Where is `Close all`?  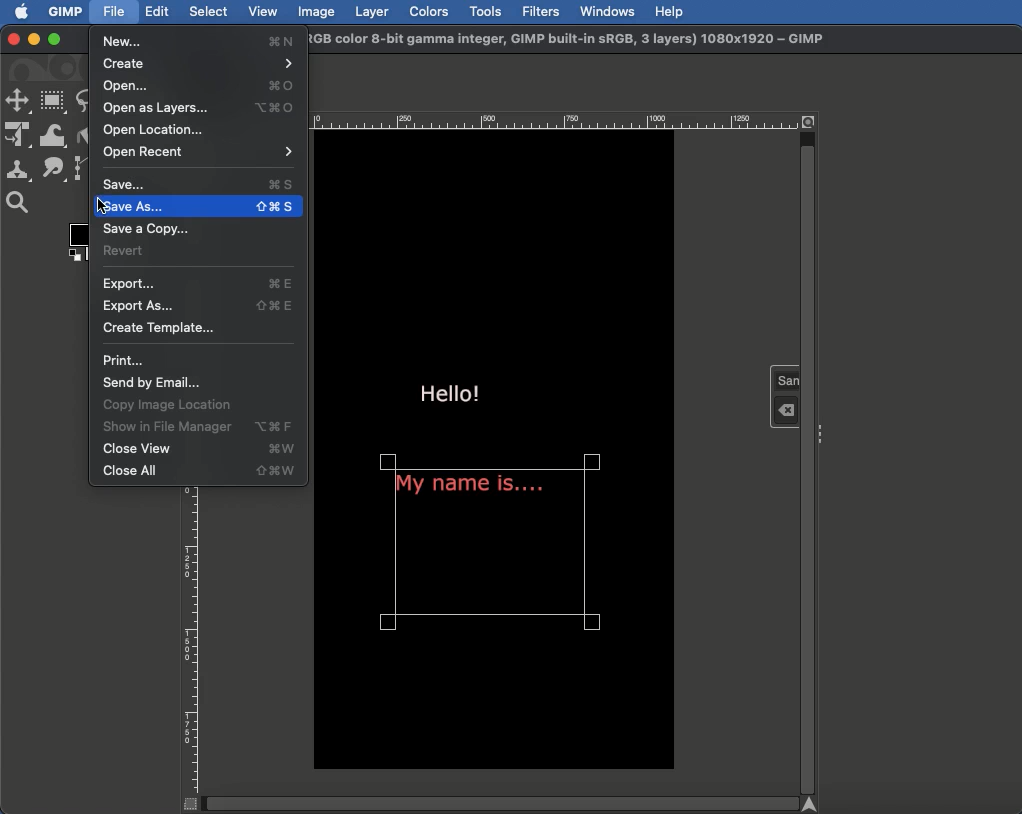 Close all is located at coordinates (199, 472).